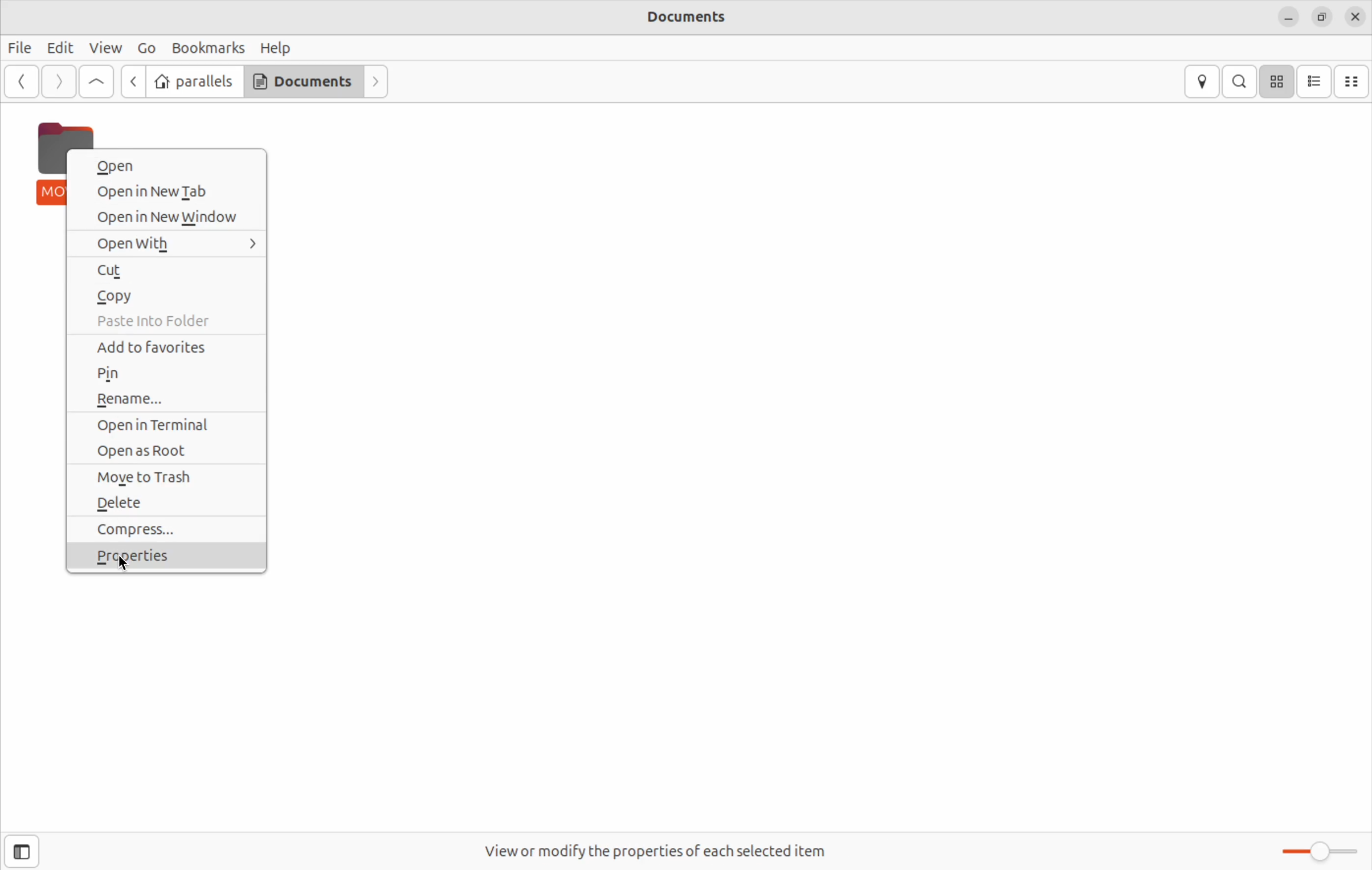 This screenshot has height=870, width=1372. What do you see at coordinates (64, 48) in the screenshot?
I see `Edit` at bounding box center [64, 48].